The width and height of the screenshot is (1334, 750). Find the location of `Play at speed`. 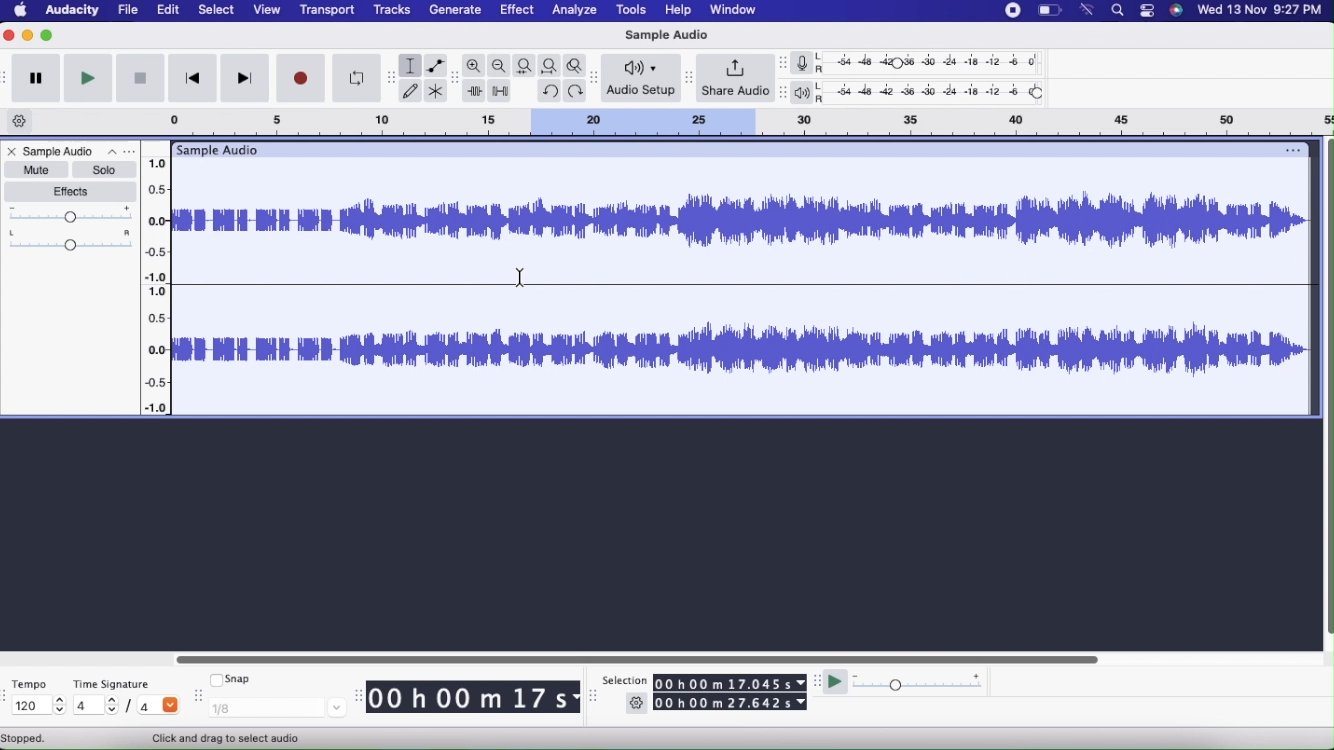

Play at speed is located at coordinates (837, 685).